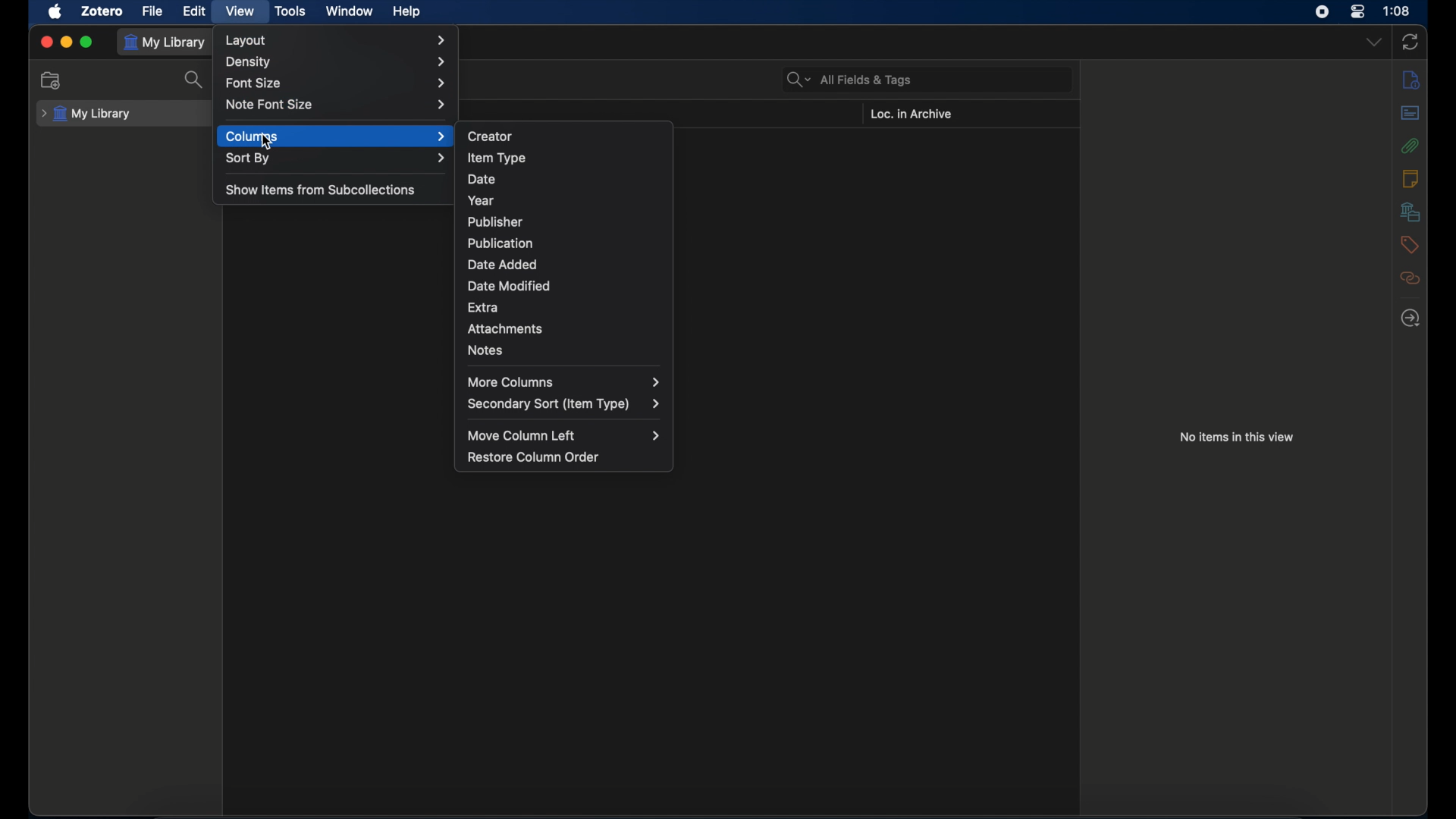 This screenshot has width=1456, height=819. Describe the element at coordinates (351, 11) in the screenshot. I see `window` at that location.